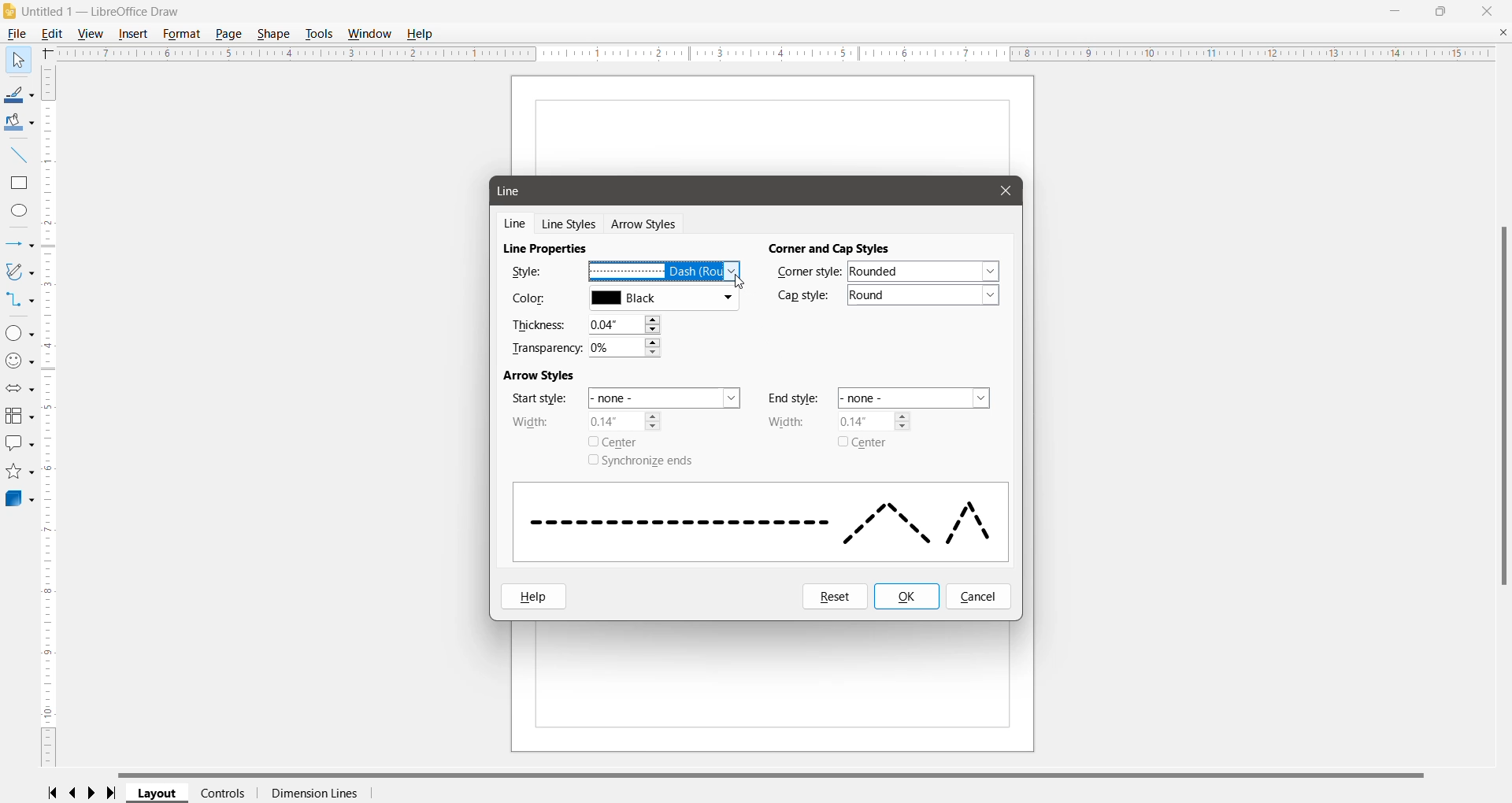 The height and width of the screenshot is (803, 1512). Describe the element at coordinates (74, 794) in the screenshot. I see `Scroll to previous page` at that location.